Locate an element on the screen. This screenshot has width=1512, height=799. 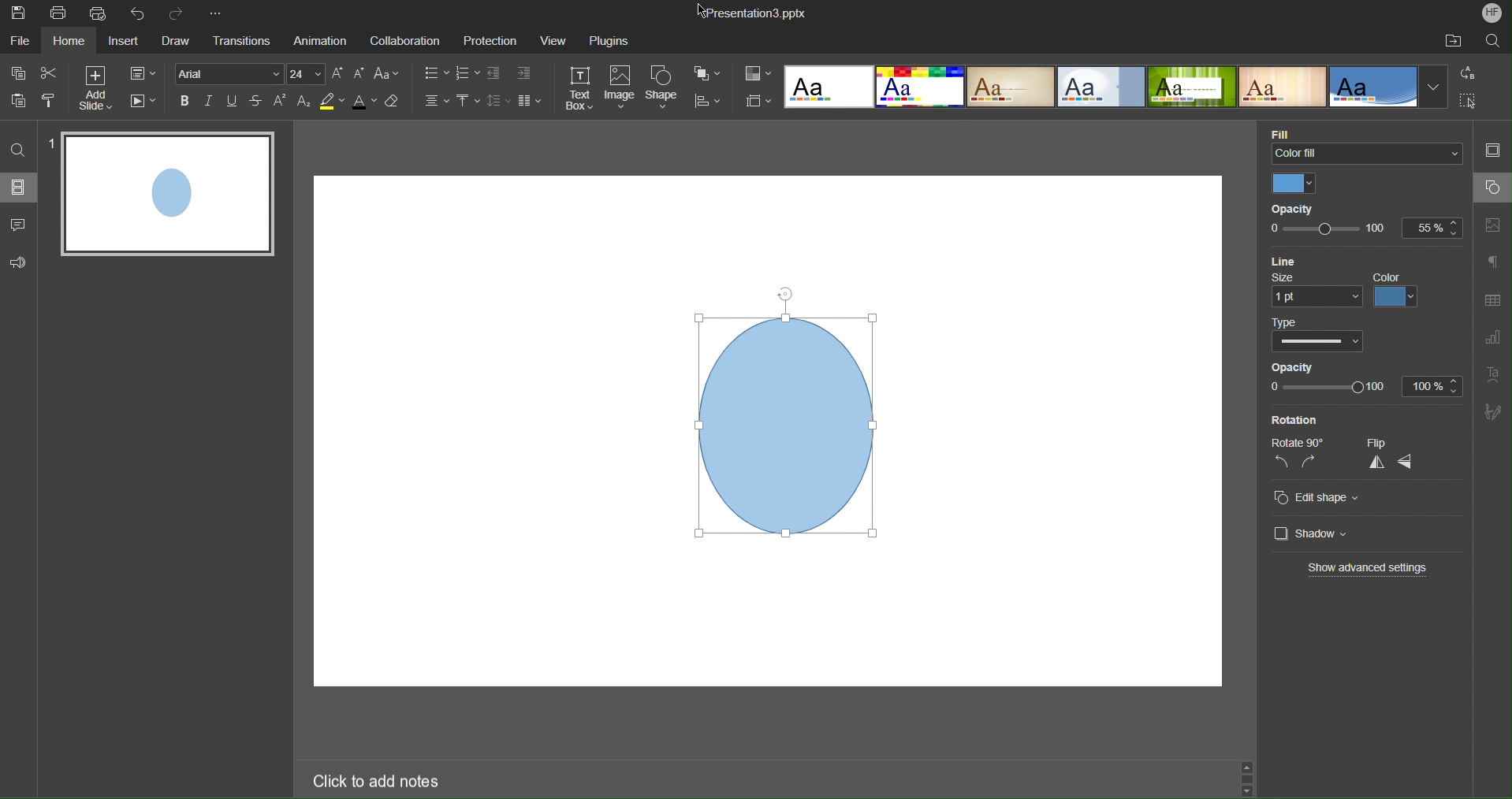
Collaboration is located at coordinates (404, 41).